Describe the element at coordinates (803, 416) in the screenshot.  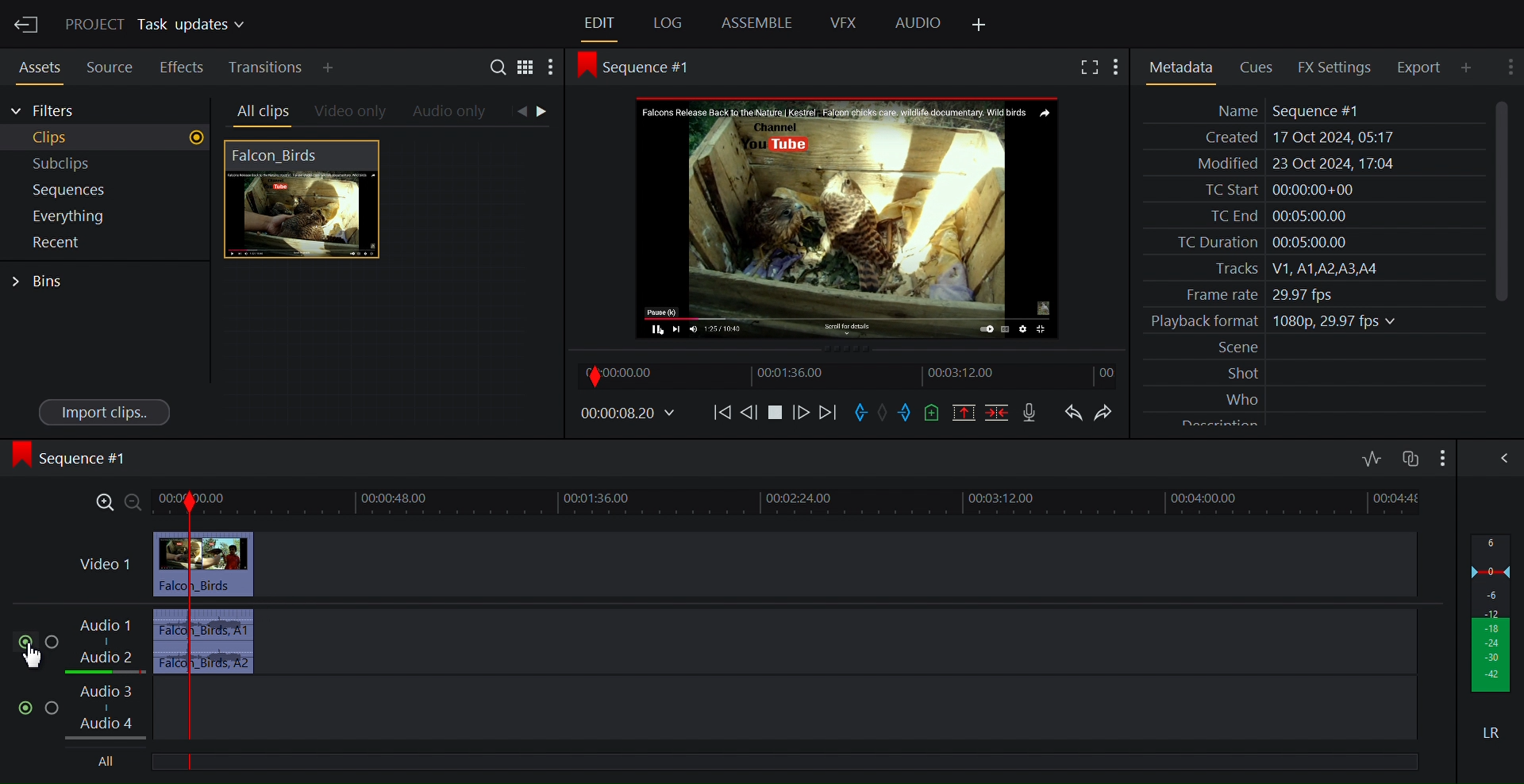
I see `Nudge one frame forward` at that location.